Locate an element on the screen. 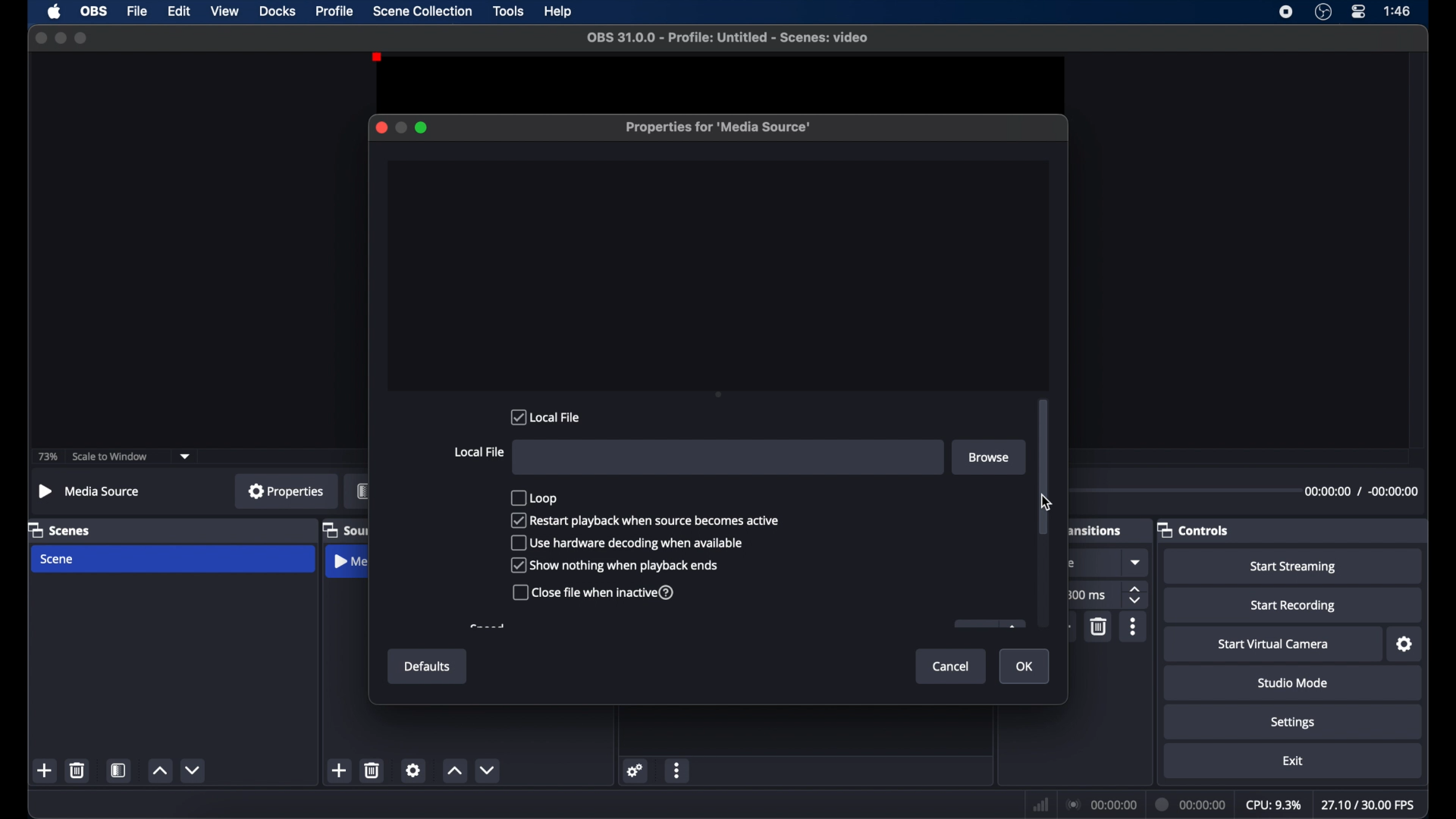 The image size is (1456, 819). maximize is located at coordinates (422, 127).